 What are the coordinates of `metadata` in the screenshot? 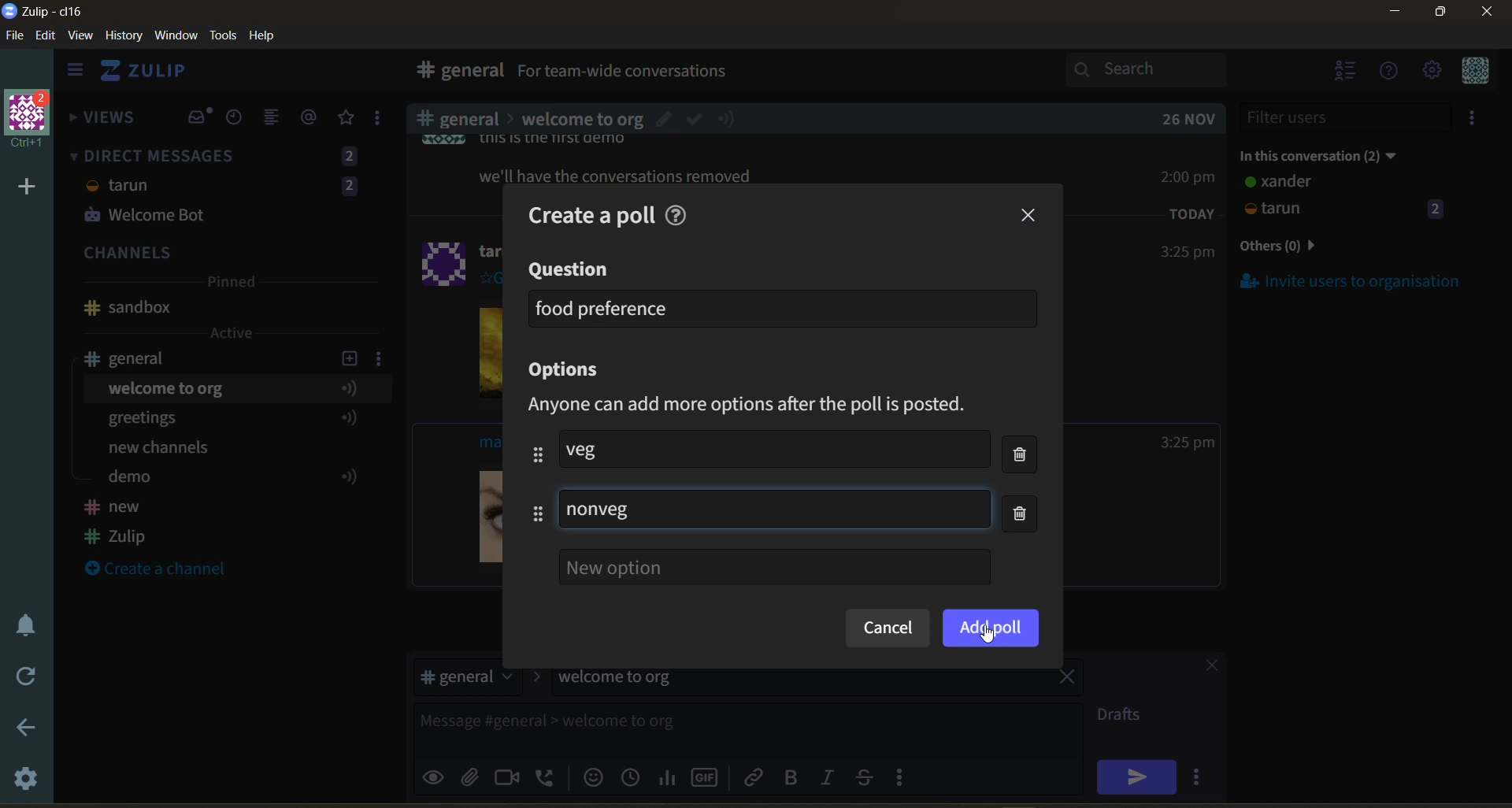 It's located at (762, 406).